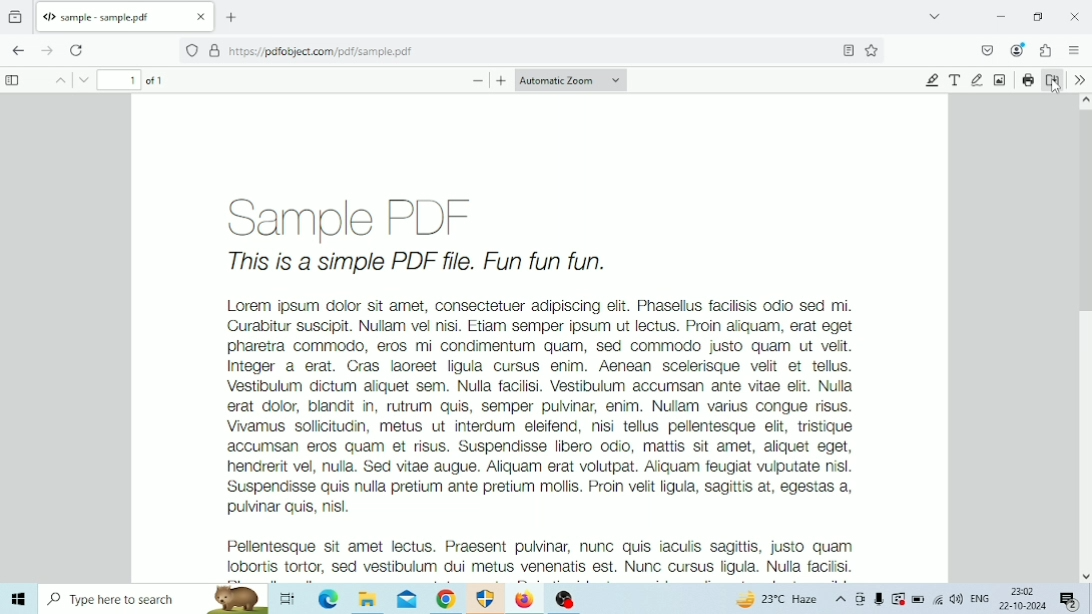 The width and height of the screenshot is (1092, 614). Describe the element at coordinates (841, 599) in the screenshot. I see `Show hidden icons` at that location.